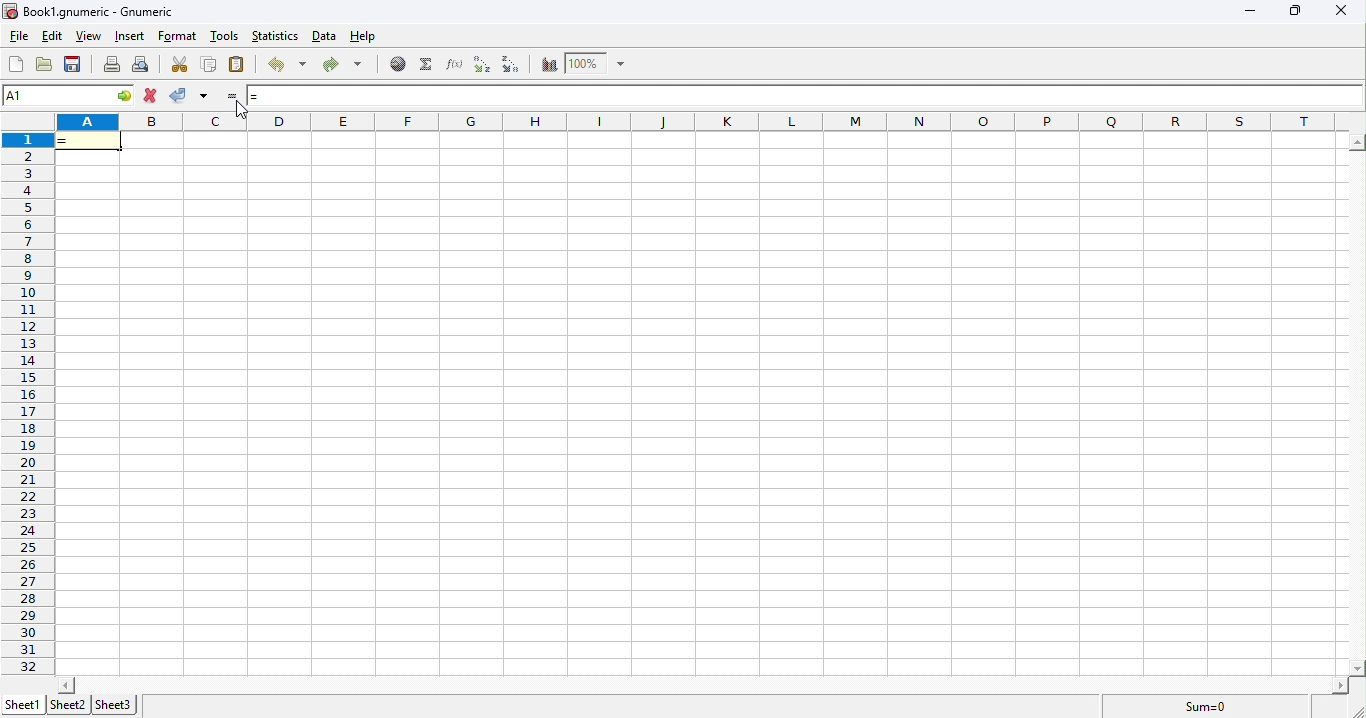  Describe the element at coordinates (52, 34) in the screenshot. I see `edit` at that location.